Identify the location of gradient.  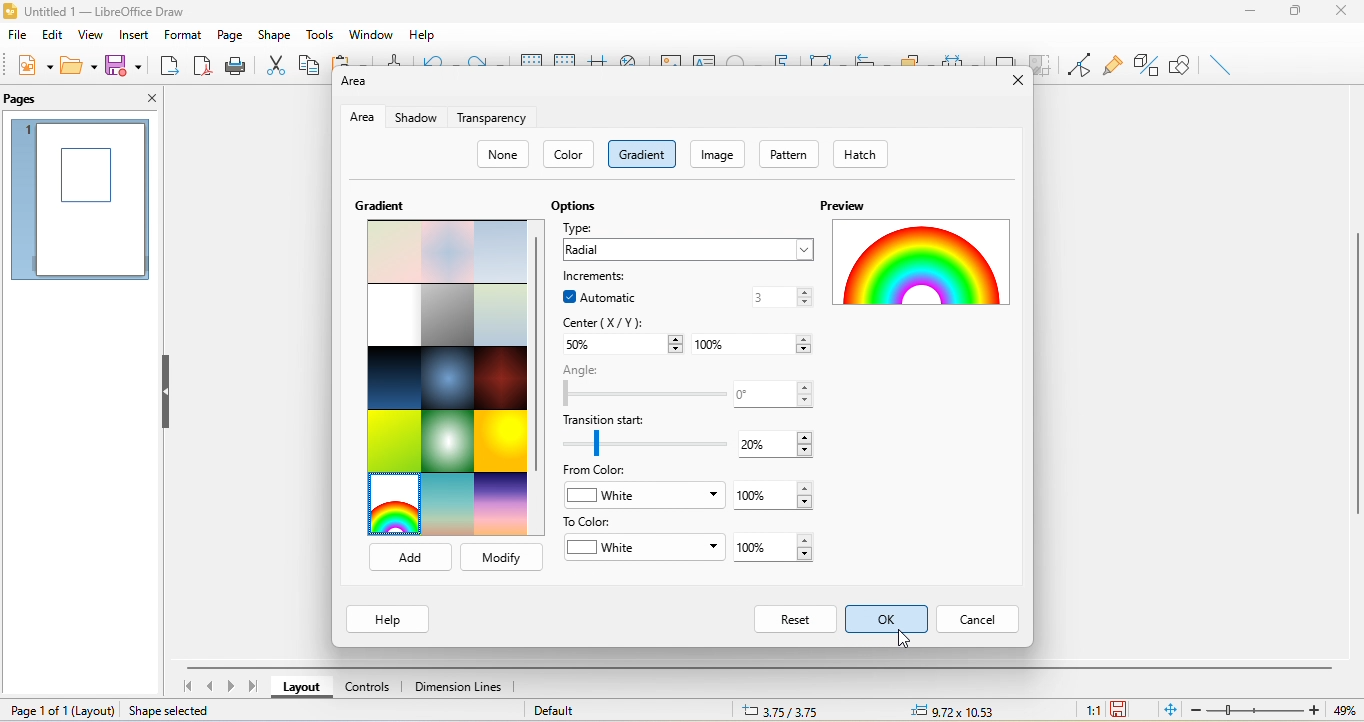
(644, 152).